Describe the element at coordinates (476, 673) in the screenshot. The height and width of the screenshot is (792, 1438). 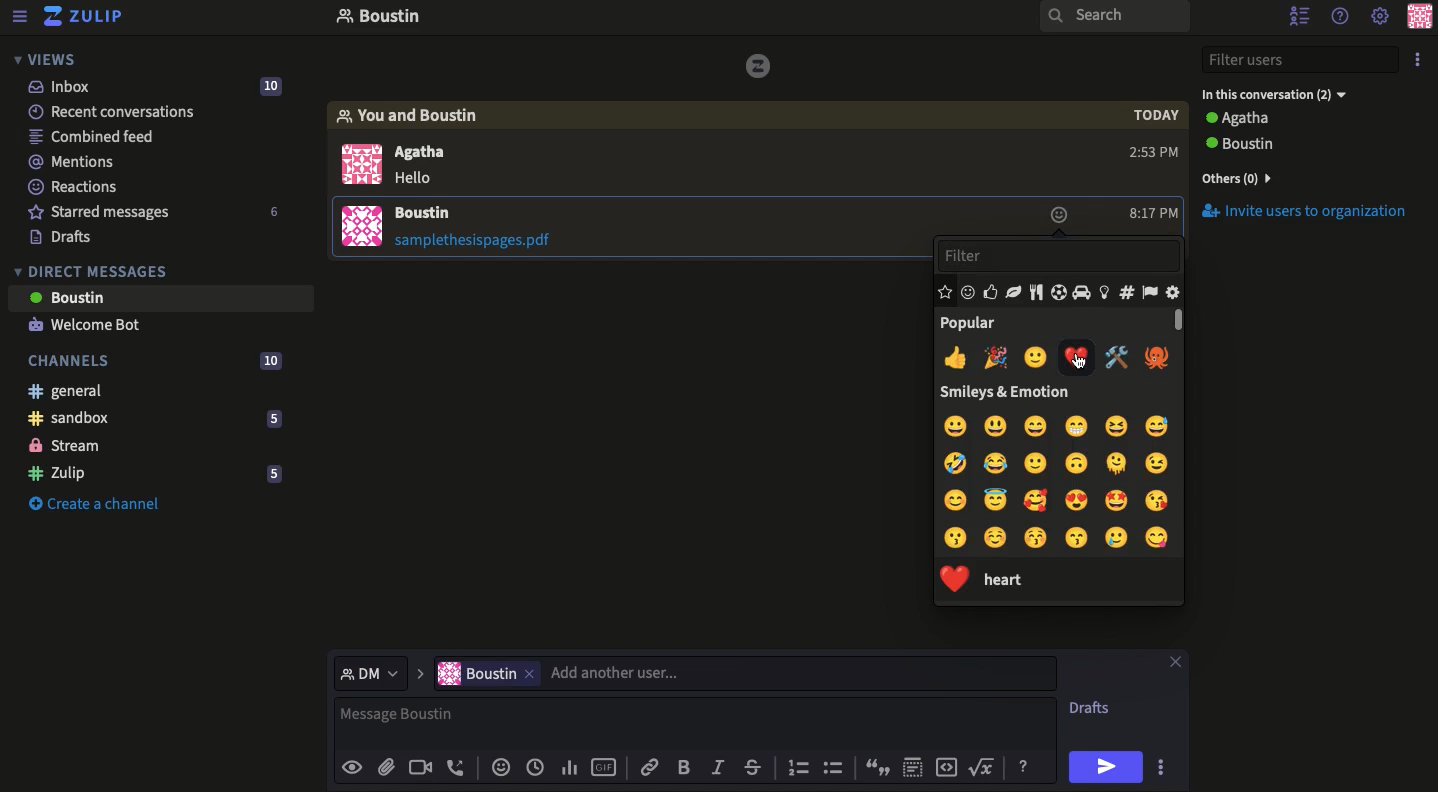
I see `boustin` at that location.